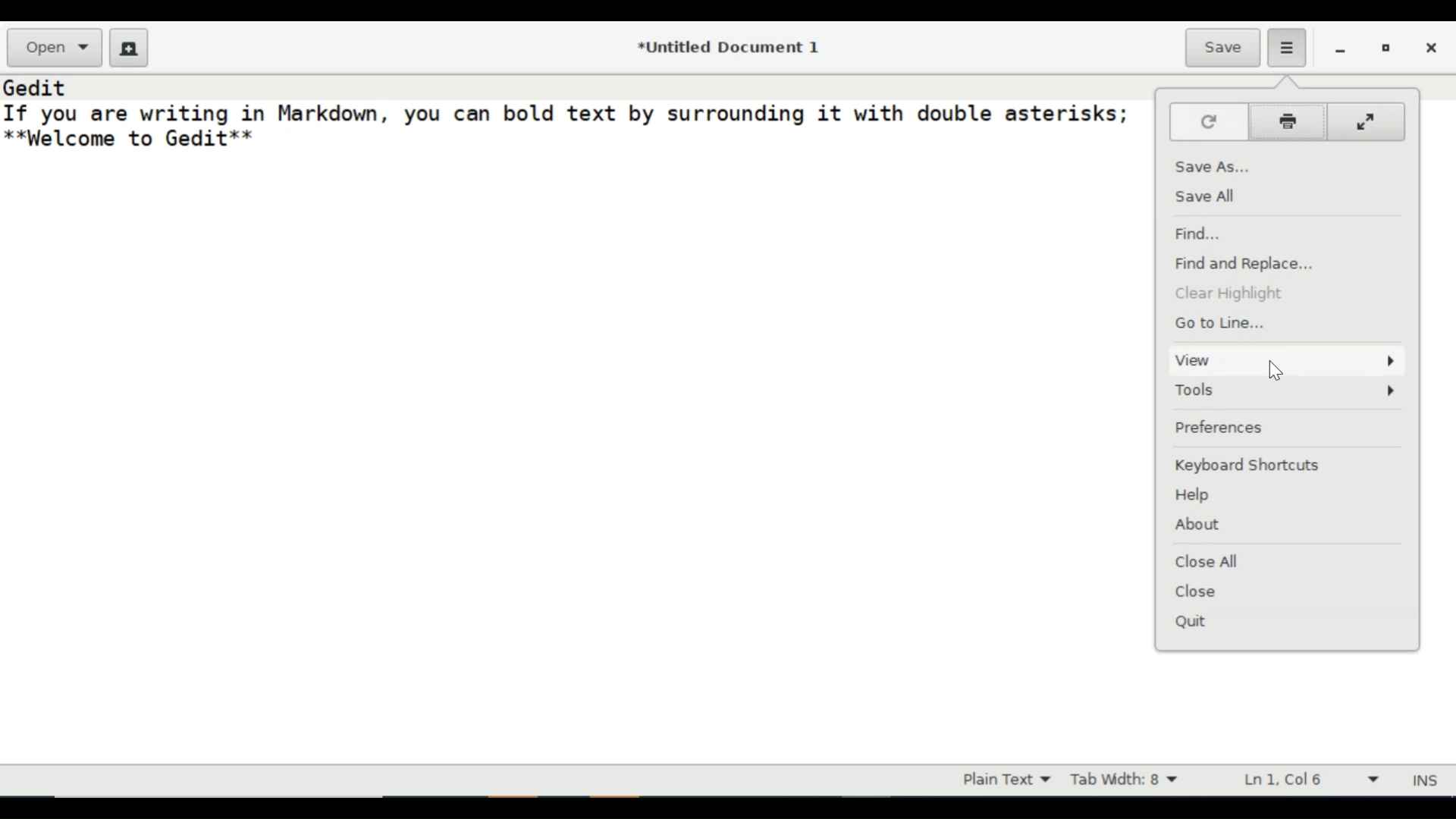  I want to click on Create a new Document, so click(128, 47).